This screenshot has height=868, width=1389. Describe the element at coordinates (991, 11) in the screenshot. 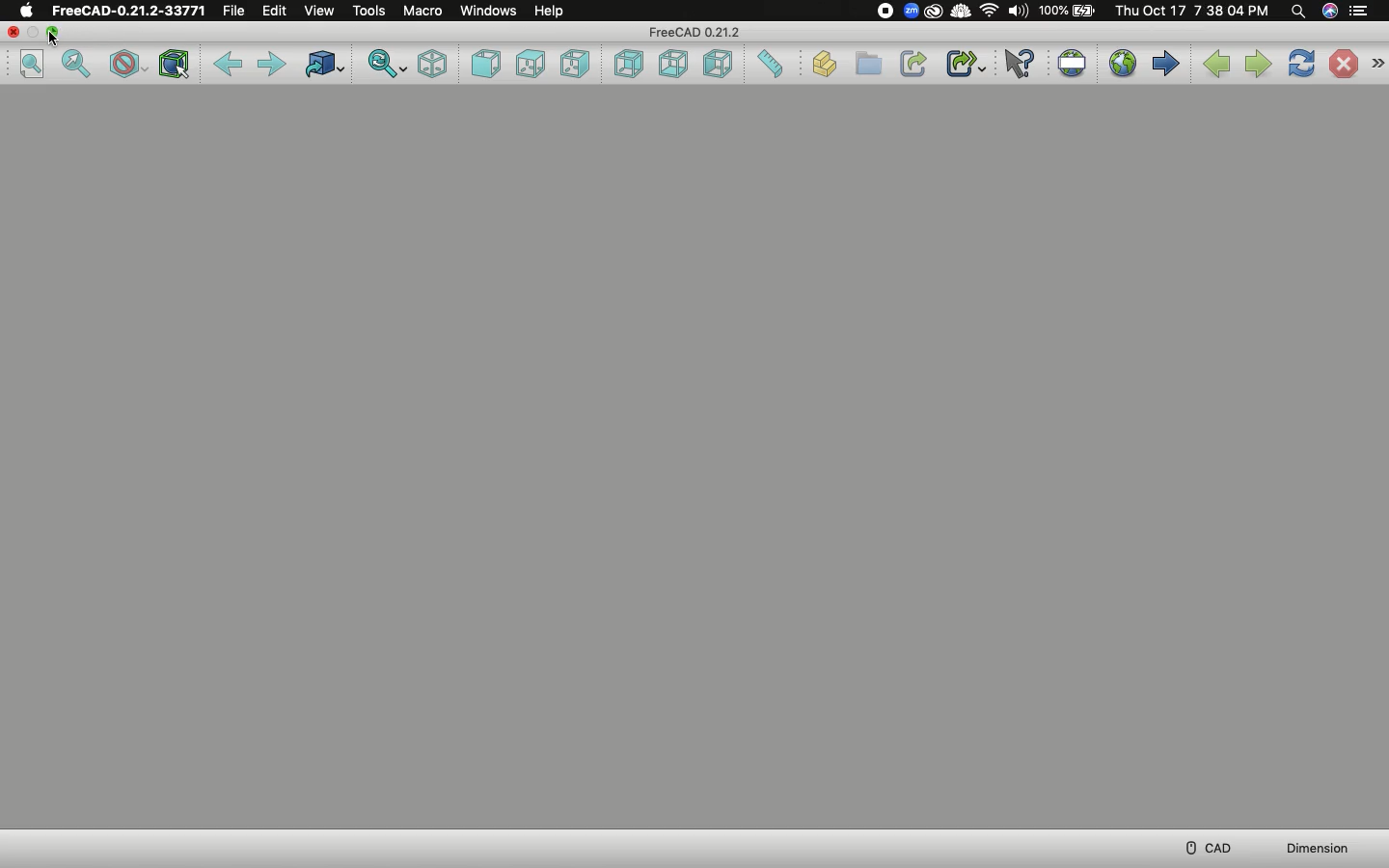

I see `Internet` at that location.